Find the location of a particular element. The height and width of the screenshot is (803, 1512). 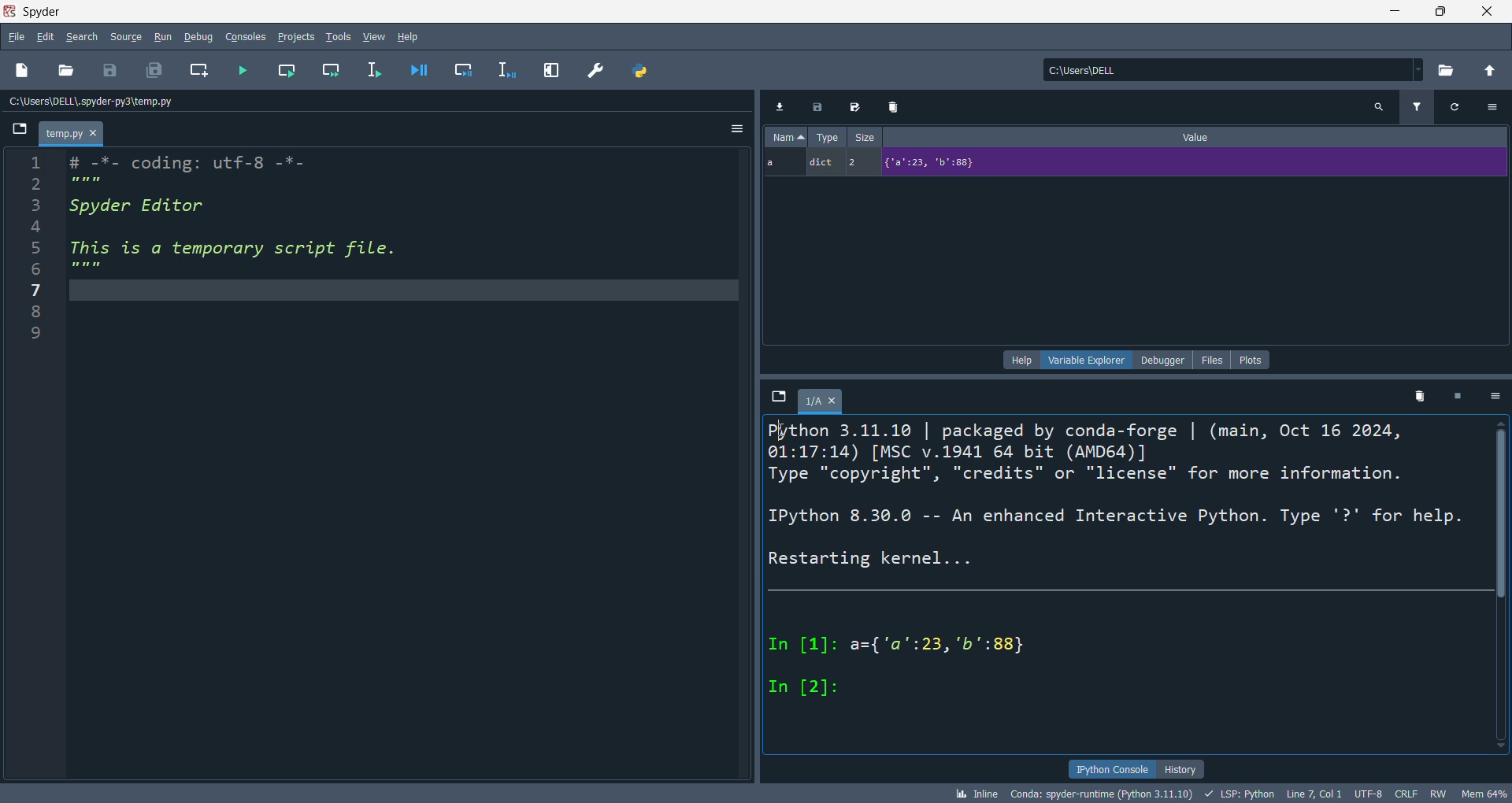

options is located at coordinates (737, 130).